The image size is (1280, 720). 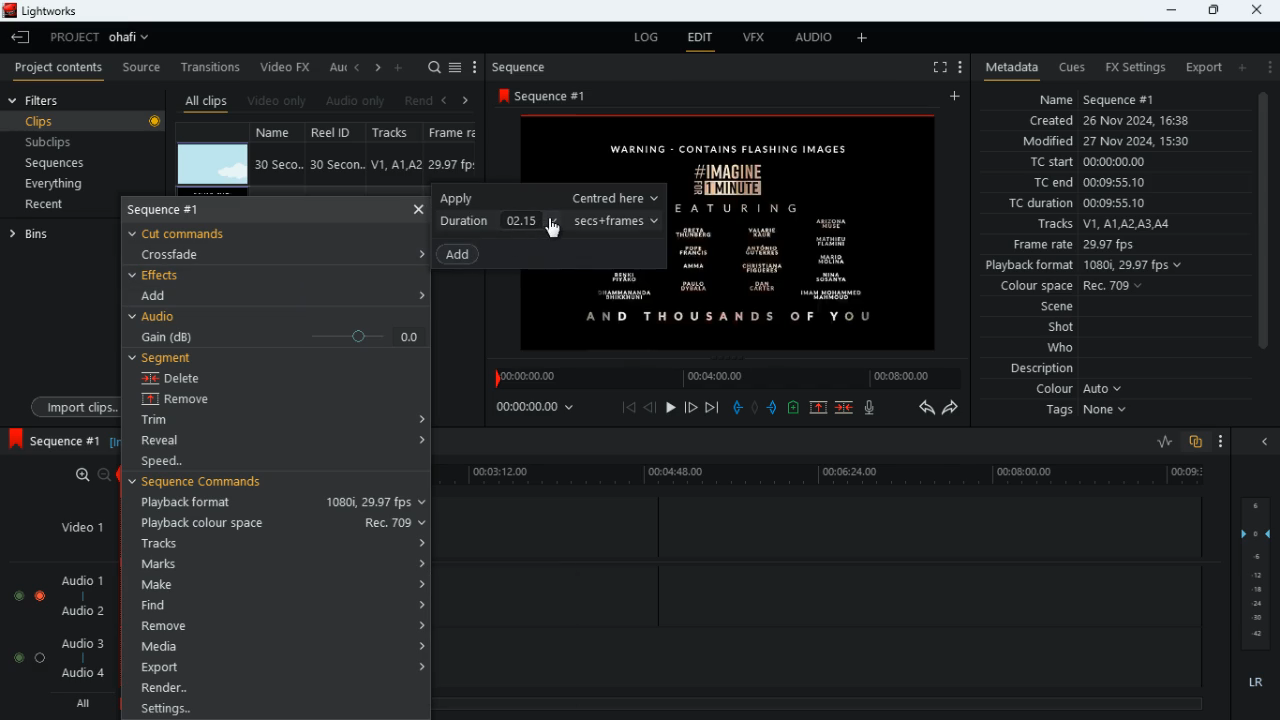 I want to click on audio, so click(x=809, y=39).